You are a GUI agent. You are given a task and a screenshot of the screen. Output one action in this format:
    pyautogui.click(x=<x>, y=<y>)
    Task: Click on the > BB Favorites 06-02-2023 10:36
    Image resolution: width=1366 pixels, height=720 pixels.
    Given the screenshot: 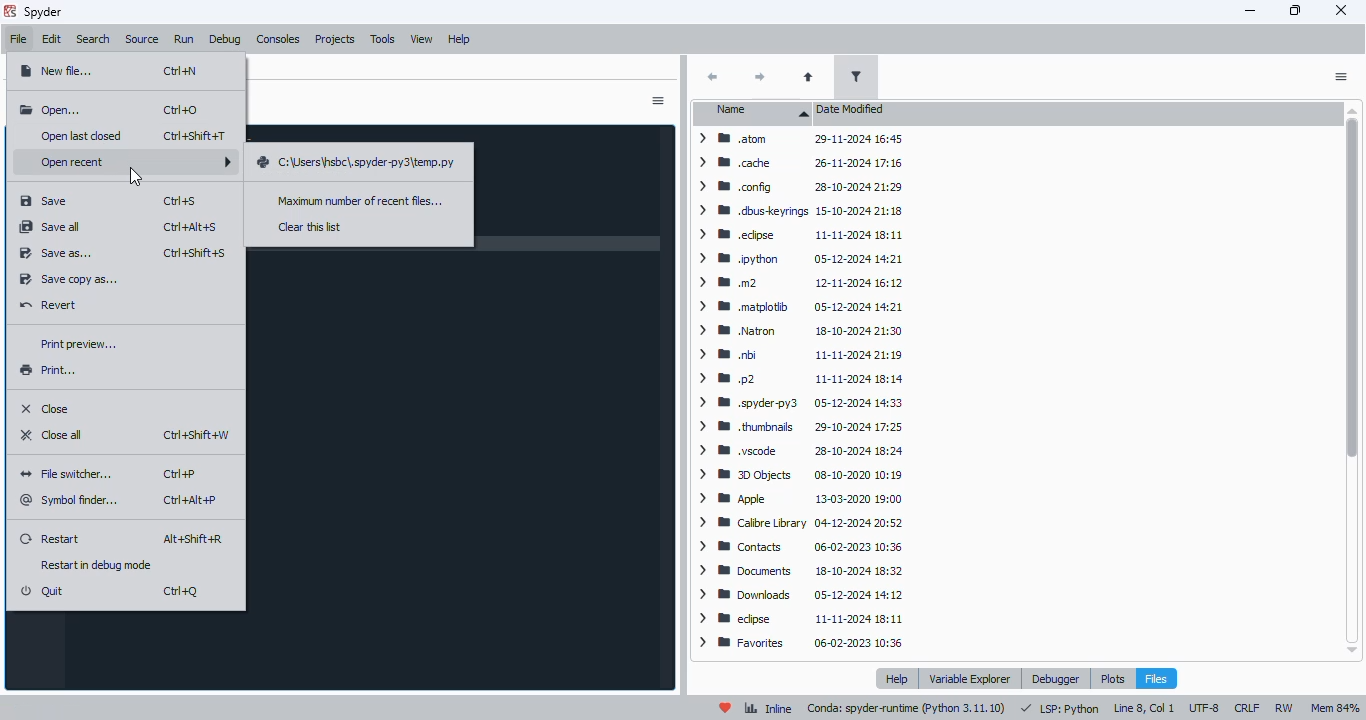 What is the action you would take?
    pyautogui.click(x=801, y=645)
    